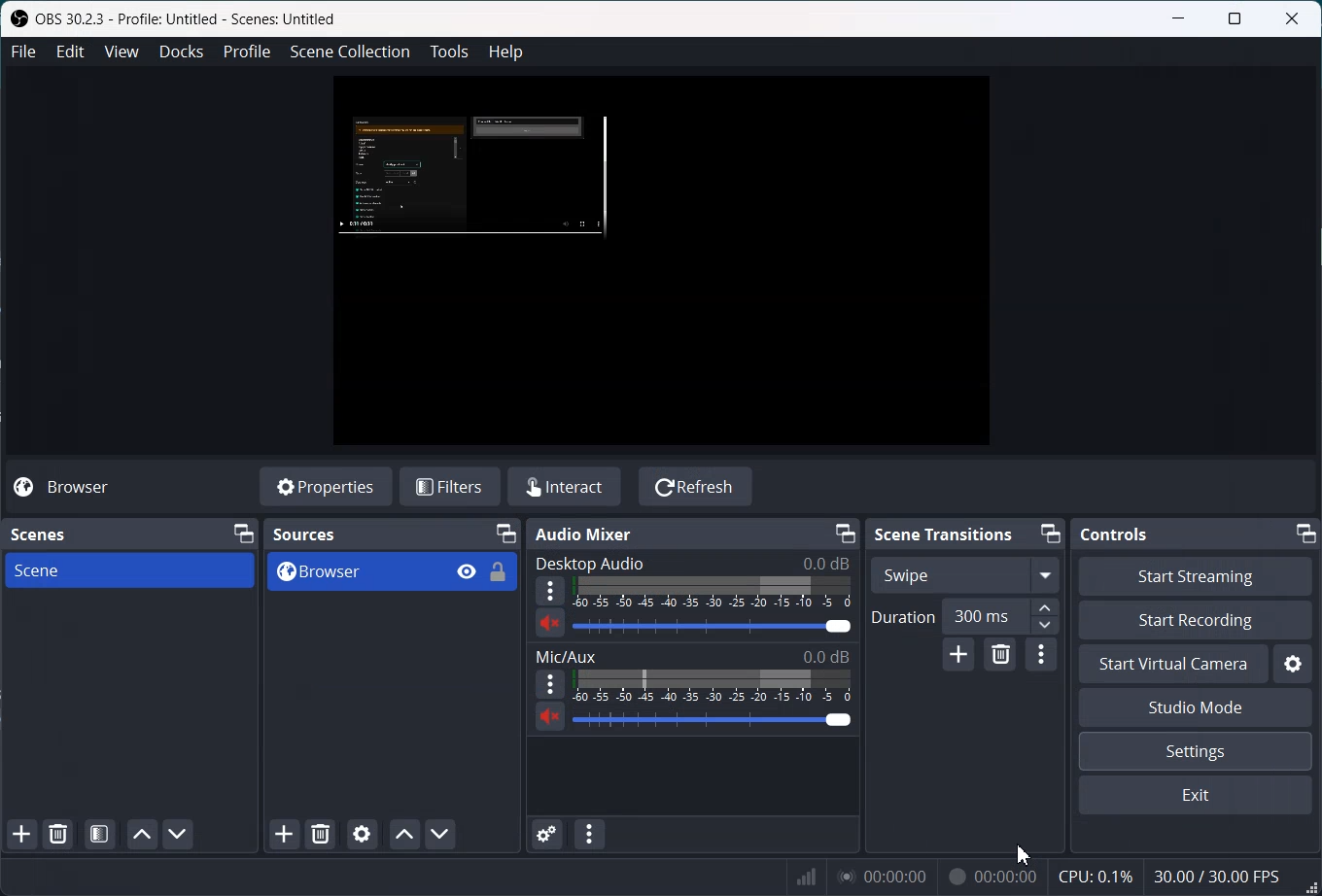 This screenshot has width=1322, height=896. I want to click on Move Scene Down, so click(178, 834).